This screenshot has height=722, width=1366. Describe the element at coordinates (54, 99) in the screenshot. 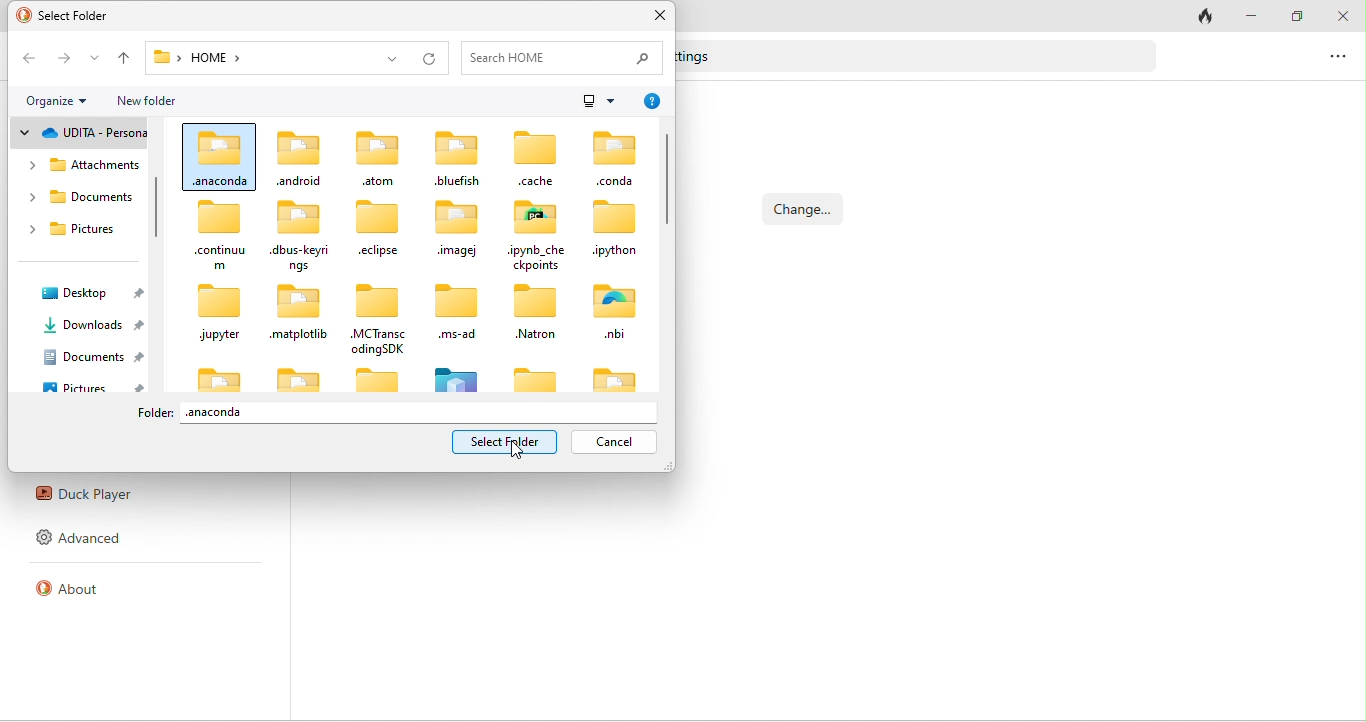

I see `organize` at that location.